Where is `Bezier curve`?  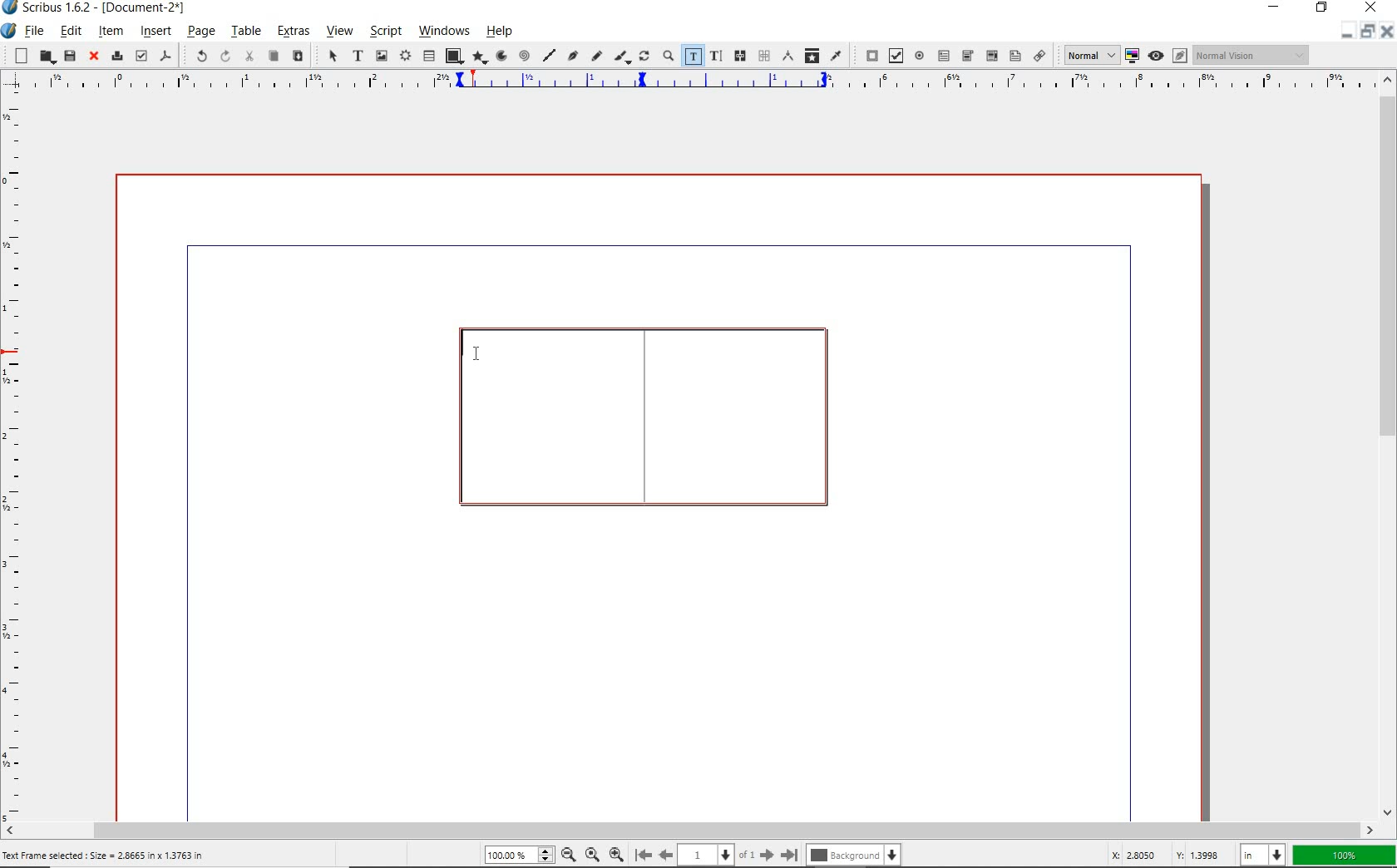
Bezier curve is located at coordinates (573, 55).